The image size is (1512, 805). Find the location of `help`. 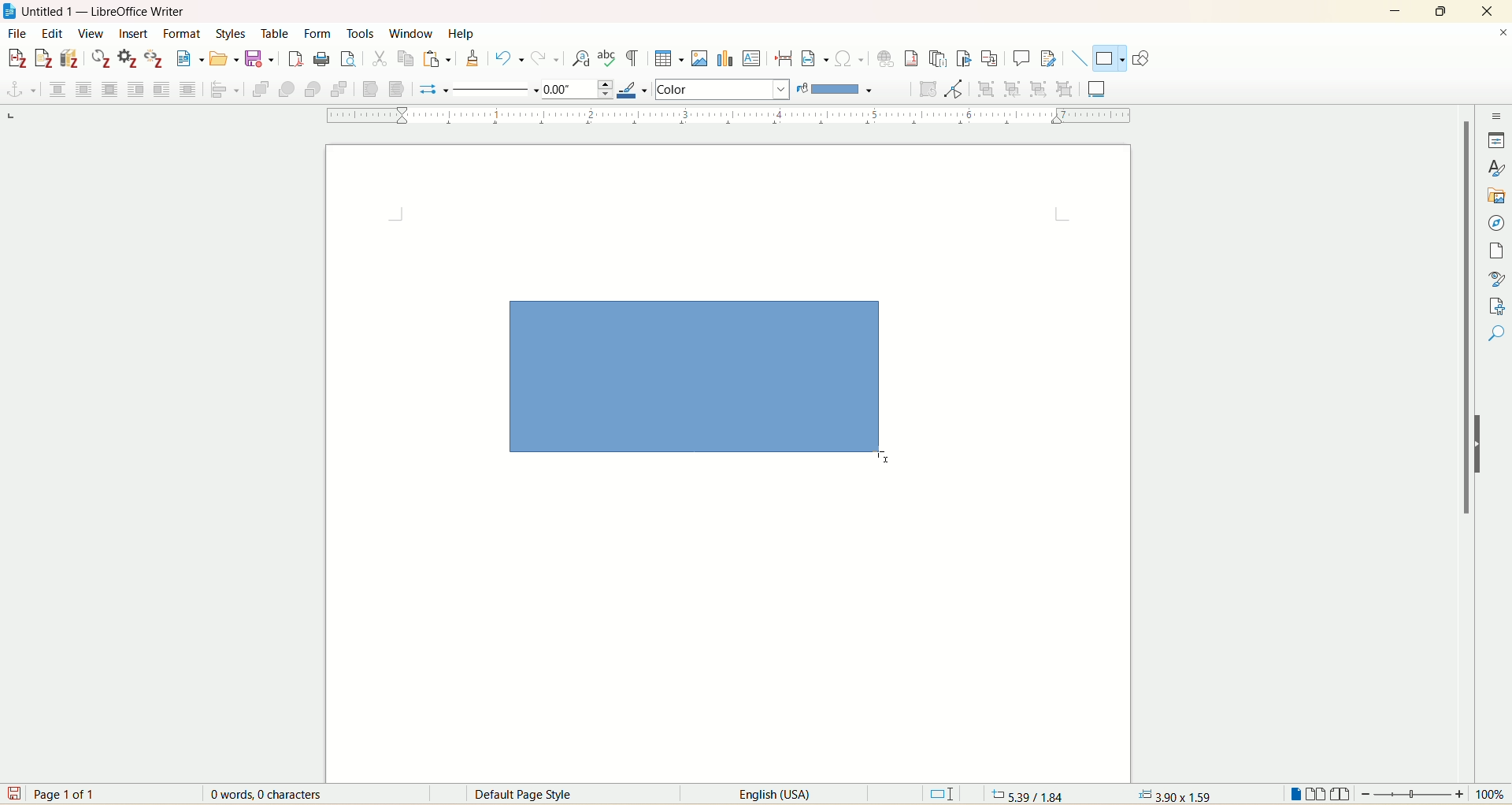

help is located at coordinates (461, 33).